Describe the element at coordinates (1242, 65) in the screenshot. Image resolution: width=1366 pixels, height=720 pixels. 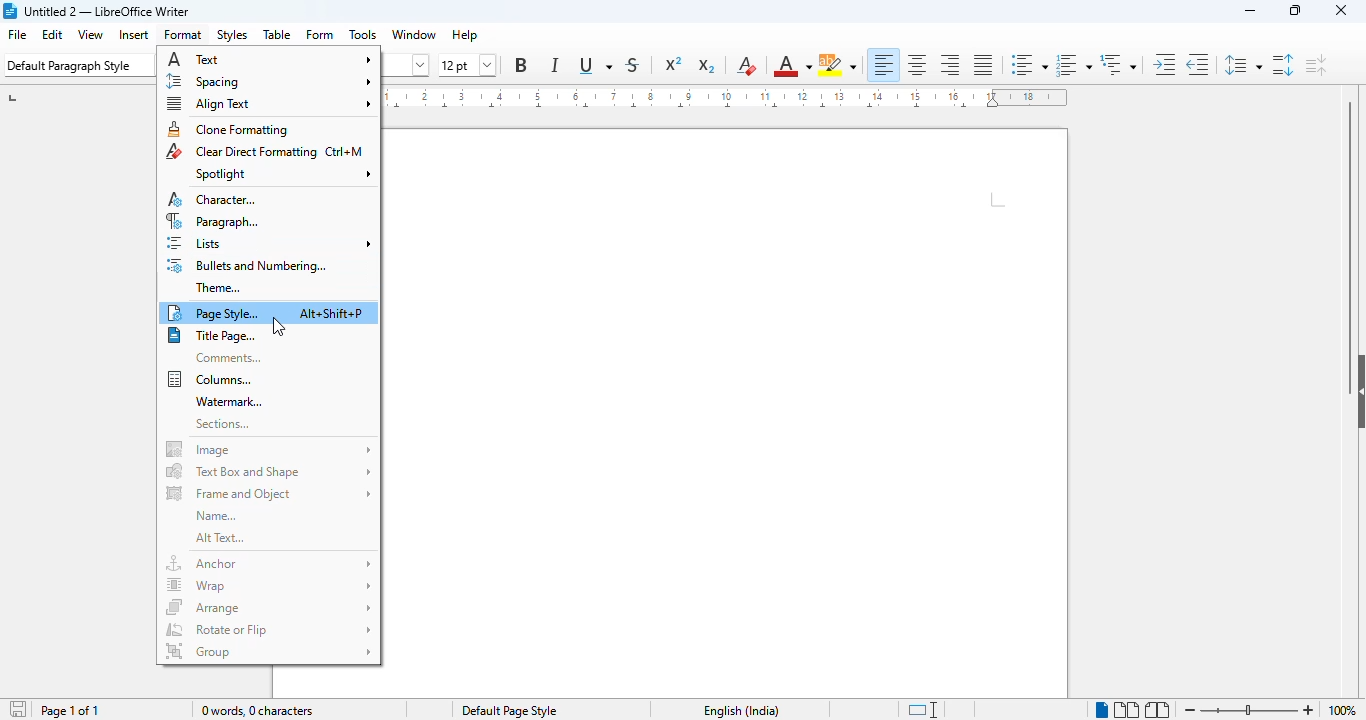
I see `set line spacing` at that location.